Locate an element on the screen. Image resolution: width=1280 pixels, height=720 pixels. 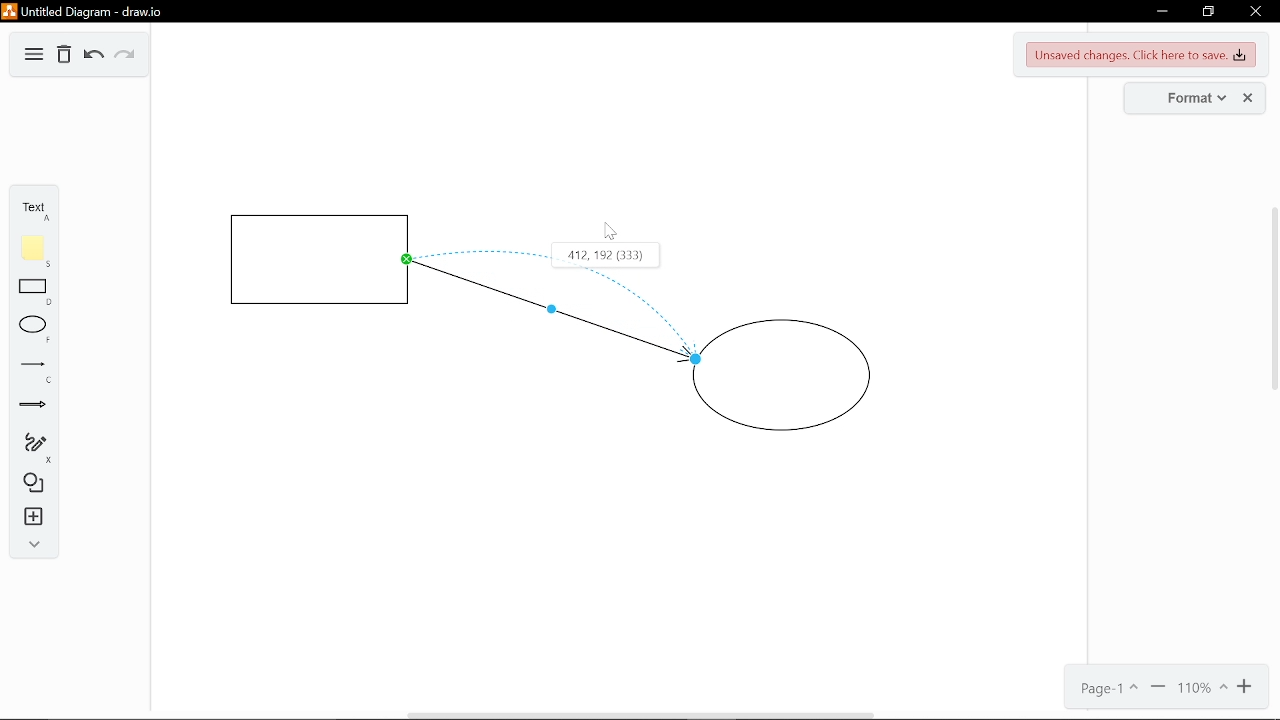
Minimize is located at coordinates (1159, 10).